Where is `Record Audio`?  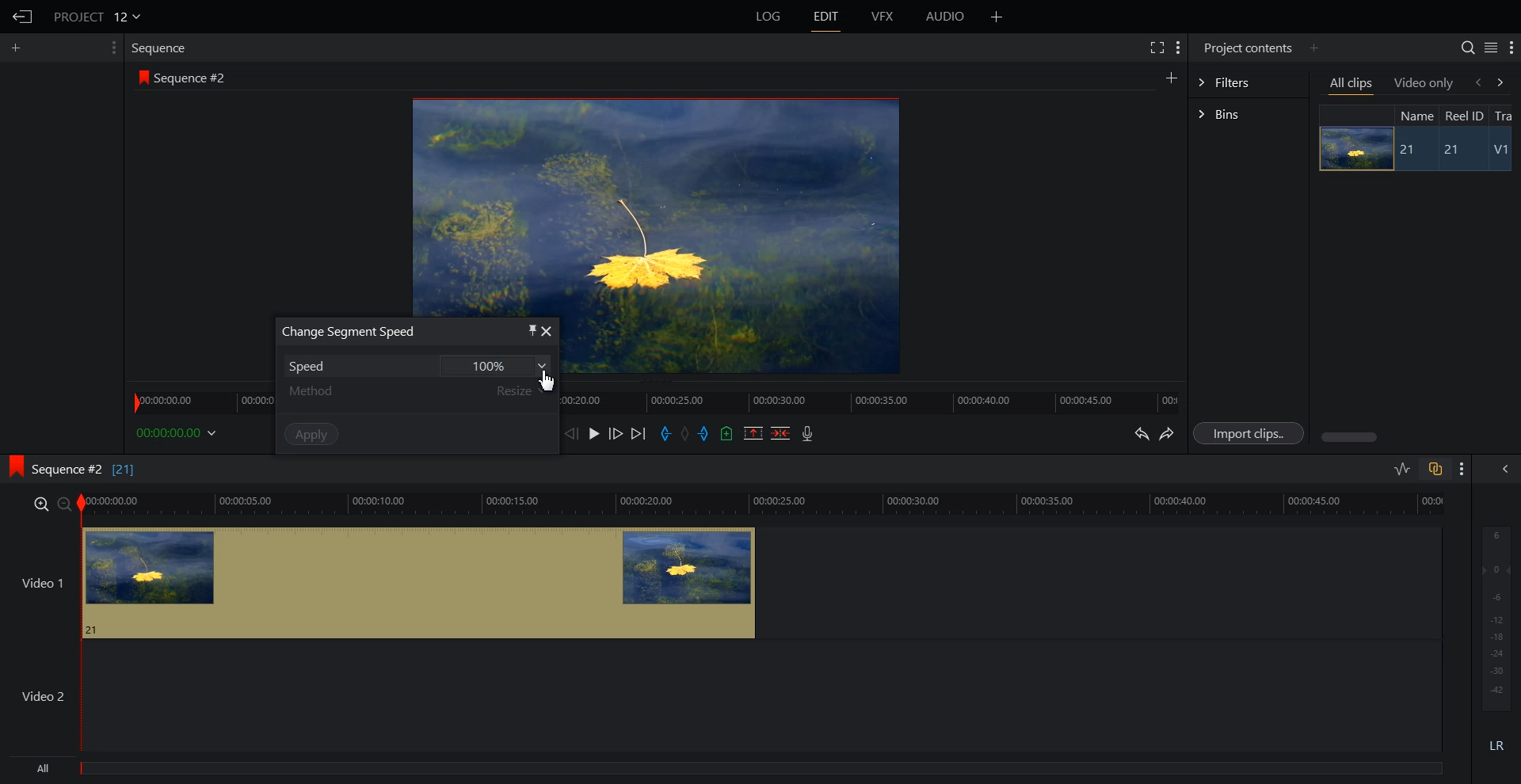 Record Audio is located at coordinates (806, 433).